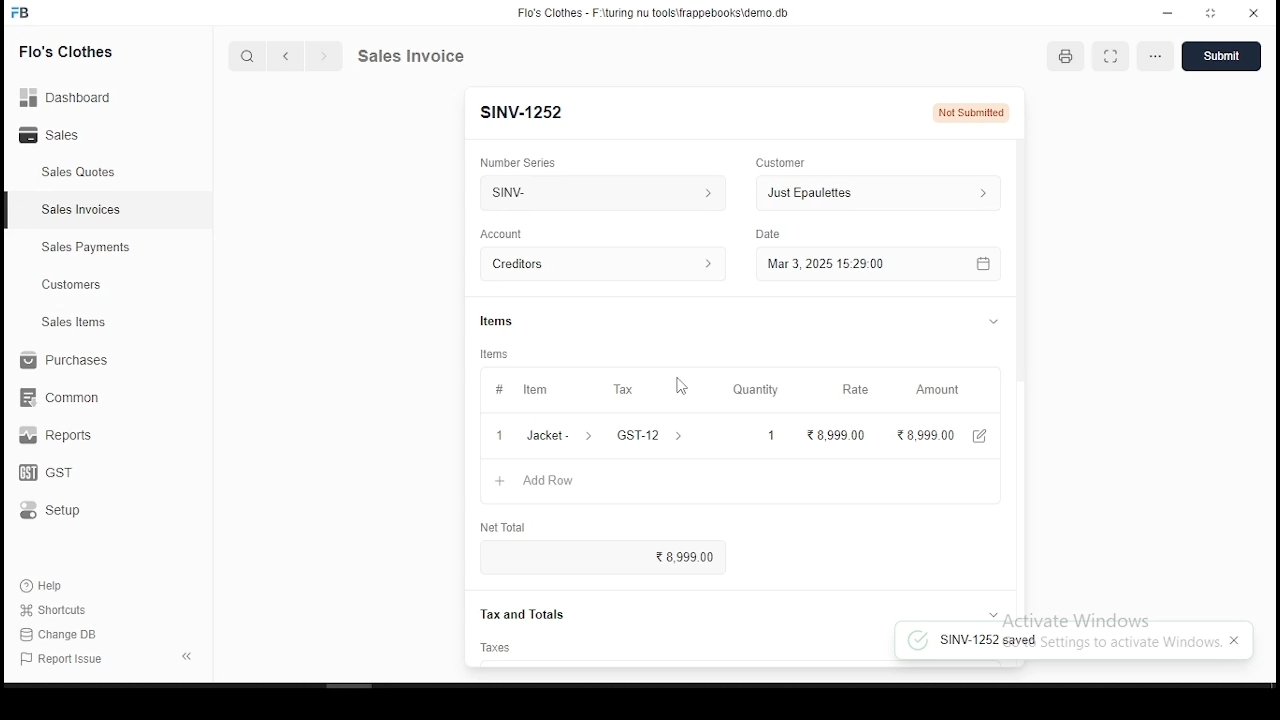 The width and height of the screenshot is (1280, 720). I want to click on next, so click(325, 58).